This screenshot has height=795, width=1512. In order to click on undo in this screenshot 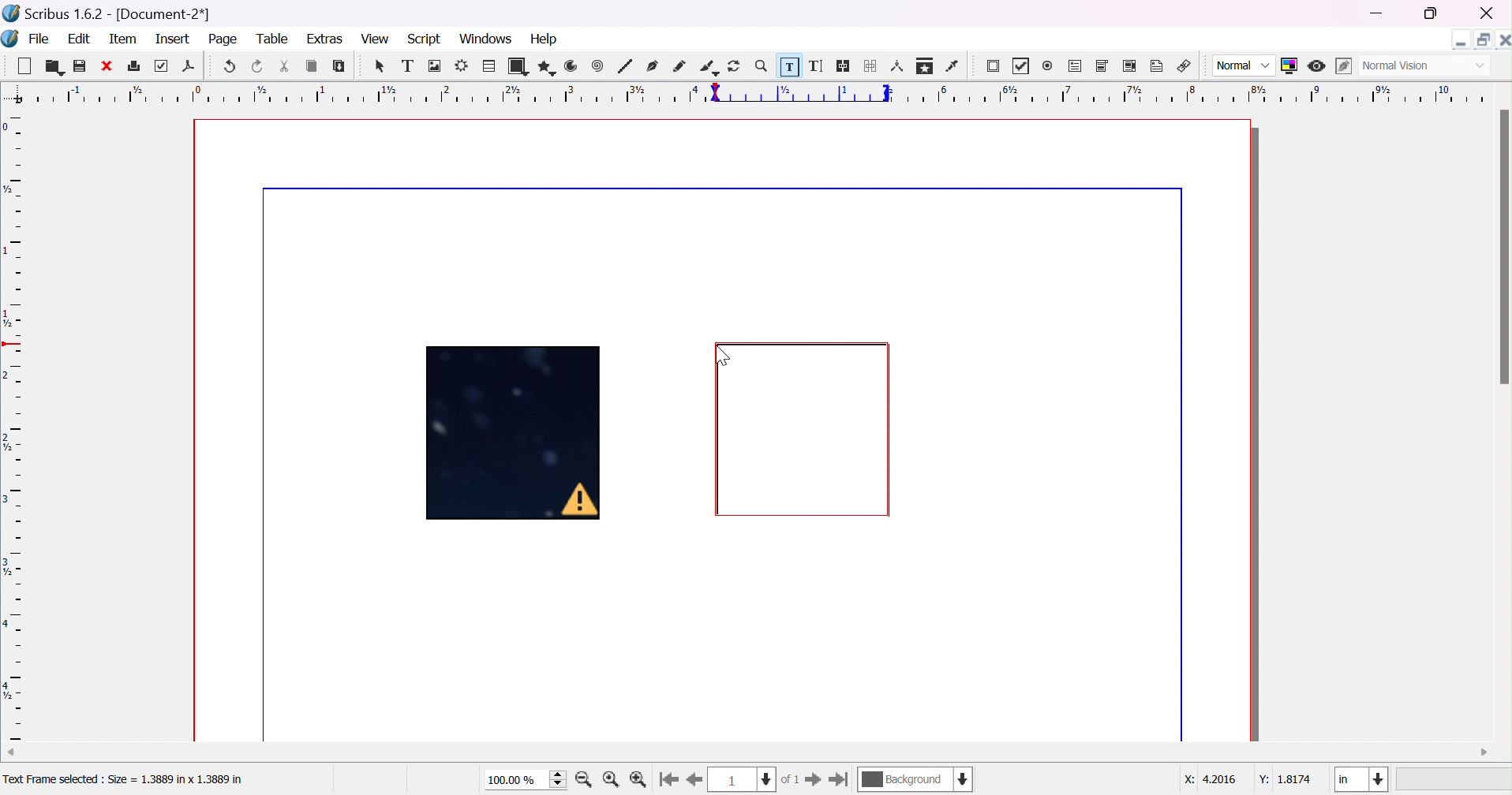, I will do `click(232, 67)`.